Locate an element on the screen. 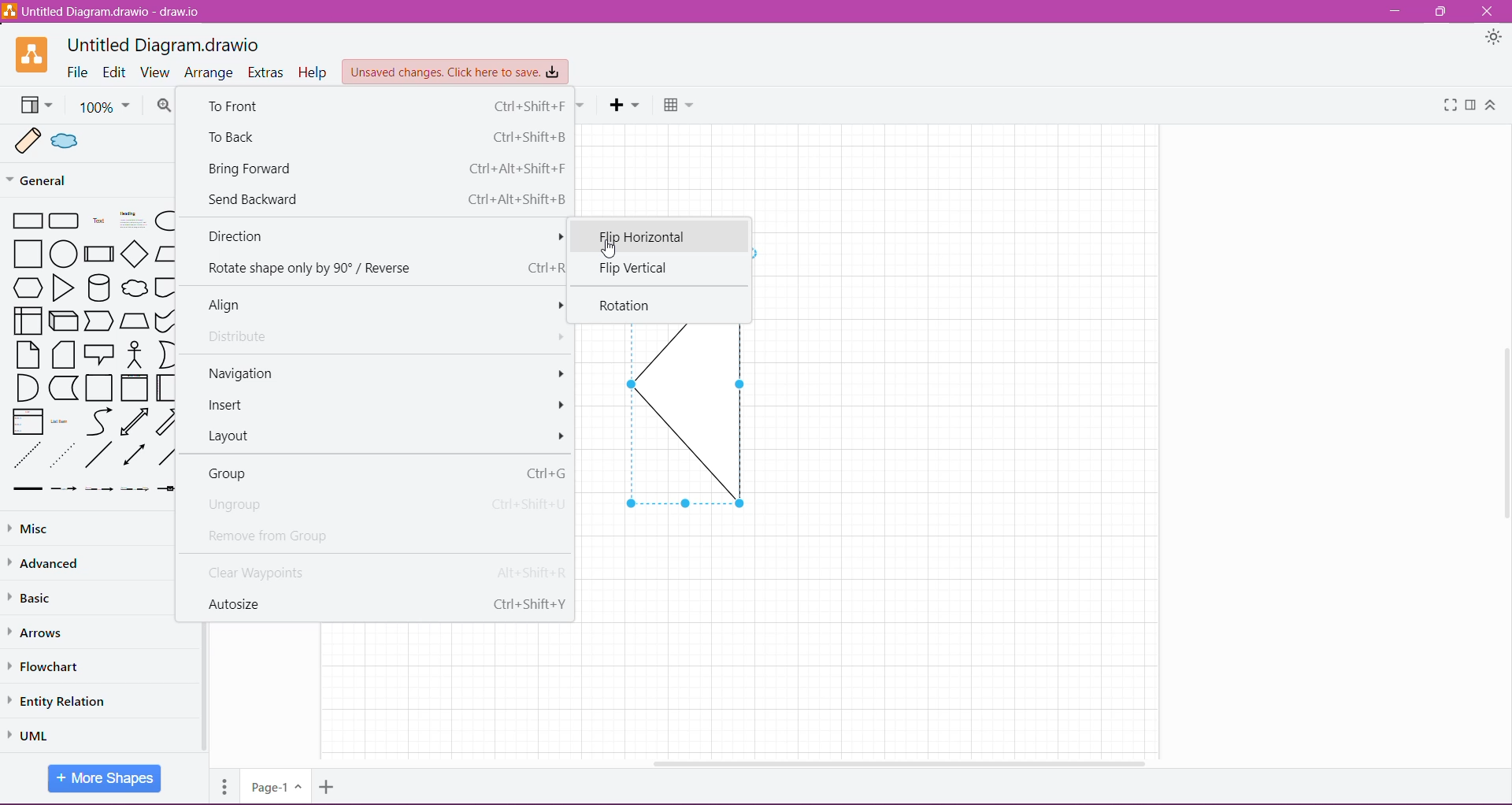 This screenshot has height=805, width=1512. Group Ctrl+G is located at coordinates (384, 473).